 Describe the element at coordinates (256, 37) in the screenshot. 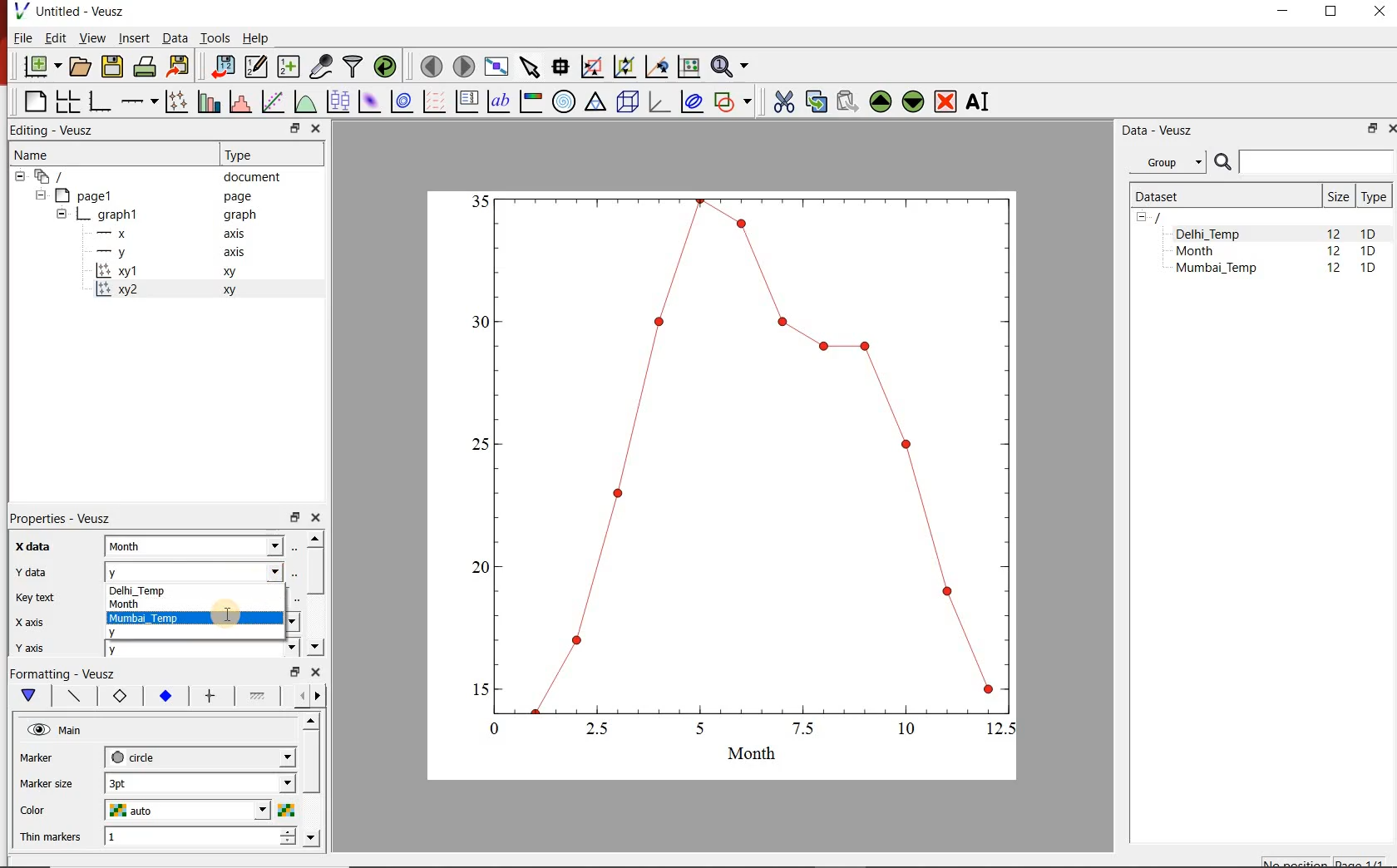

I see `Help` at that location.